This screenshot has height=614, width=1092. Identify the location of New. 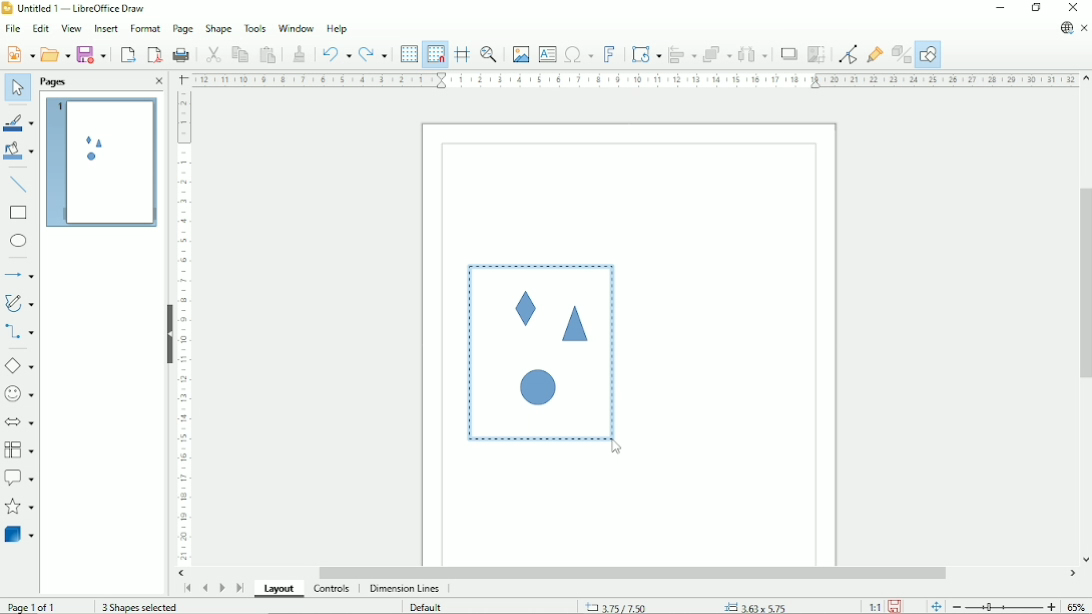
(19, 54).